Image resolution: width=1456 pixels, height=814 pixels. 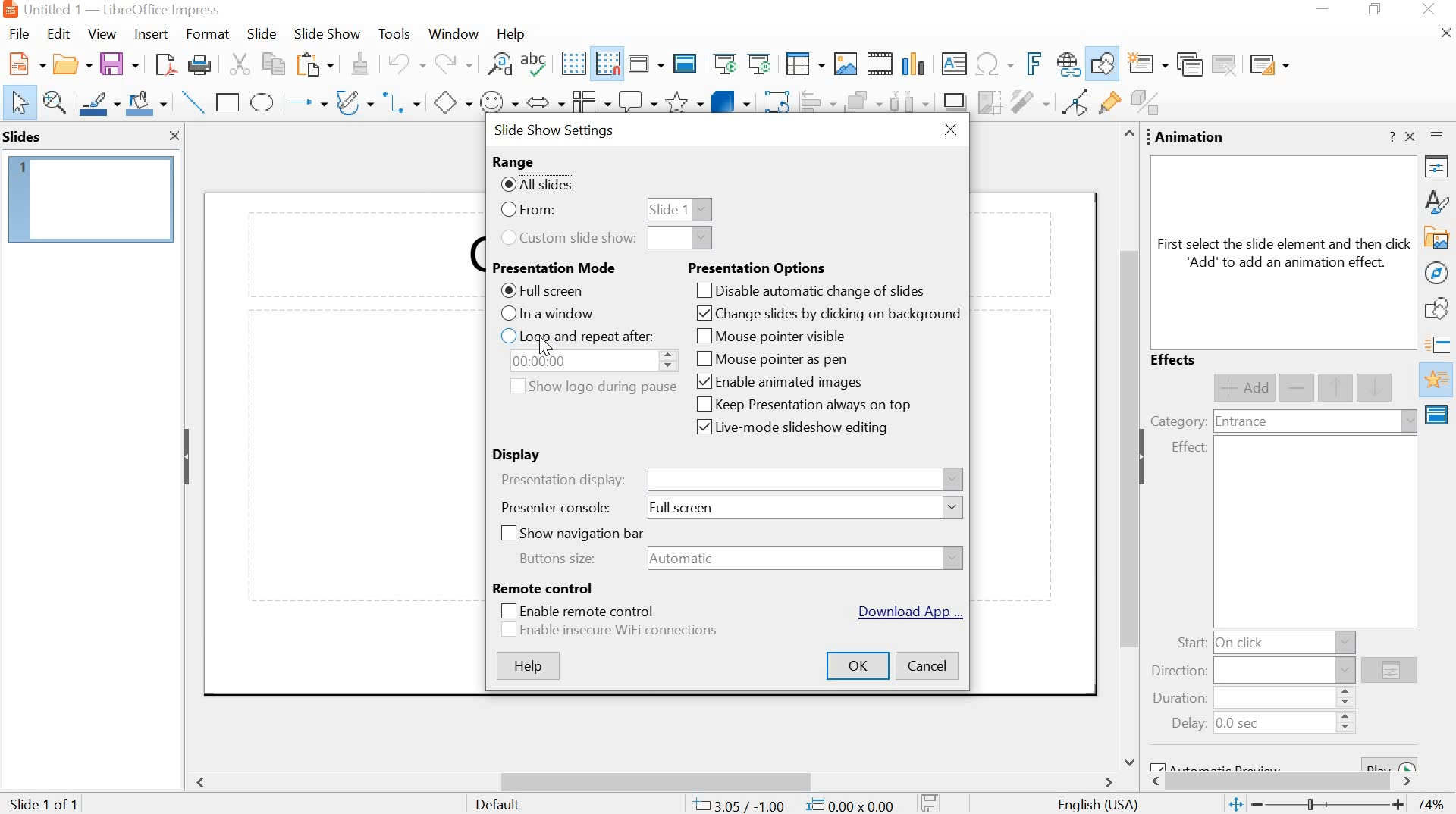 I want to click on insert menu, so click(x=149, y=34).